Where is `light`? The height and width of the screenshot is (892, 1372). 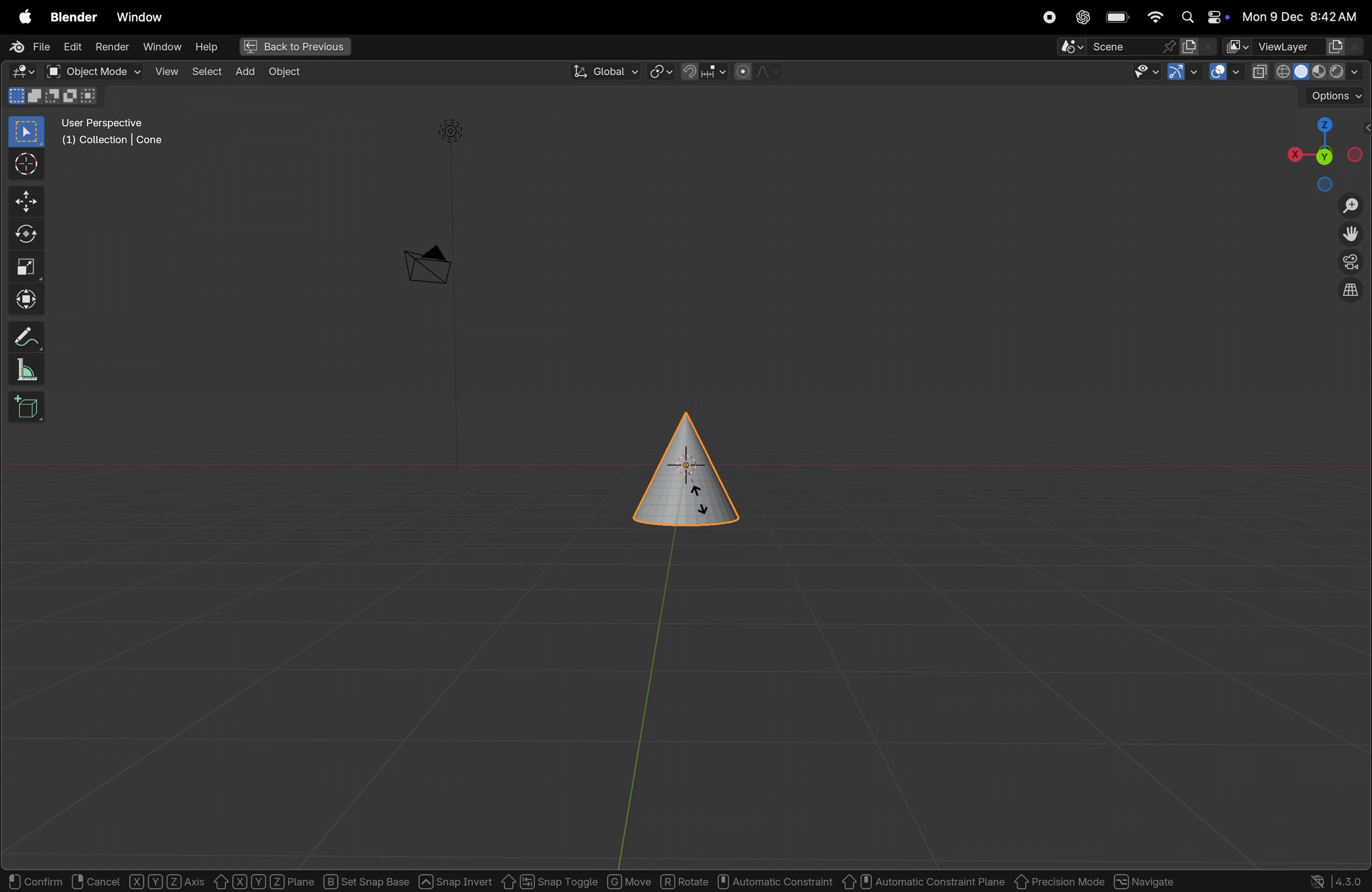
light is located at coordinates (453, 131).